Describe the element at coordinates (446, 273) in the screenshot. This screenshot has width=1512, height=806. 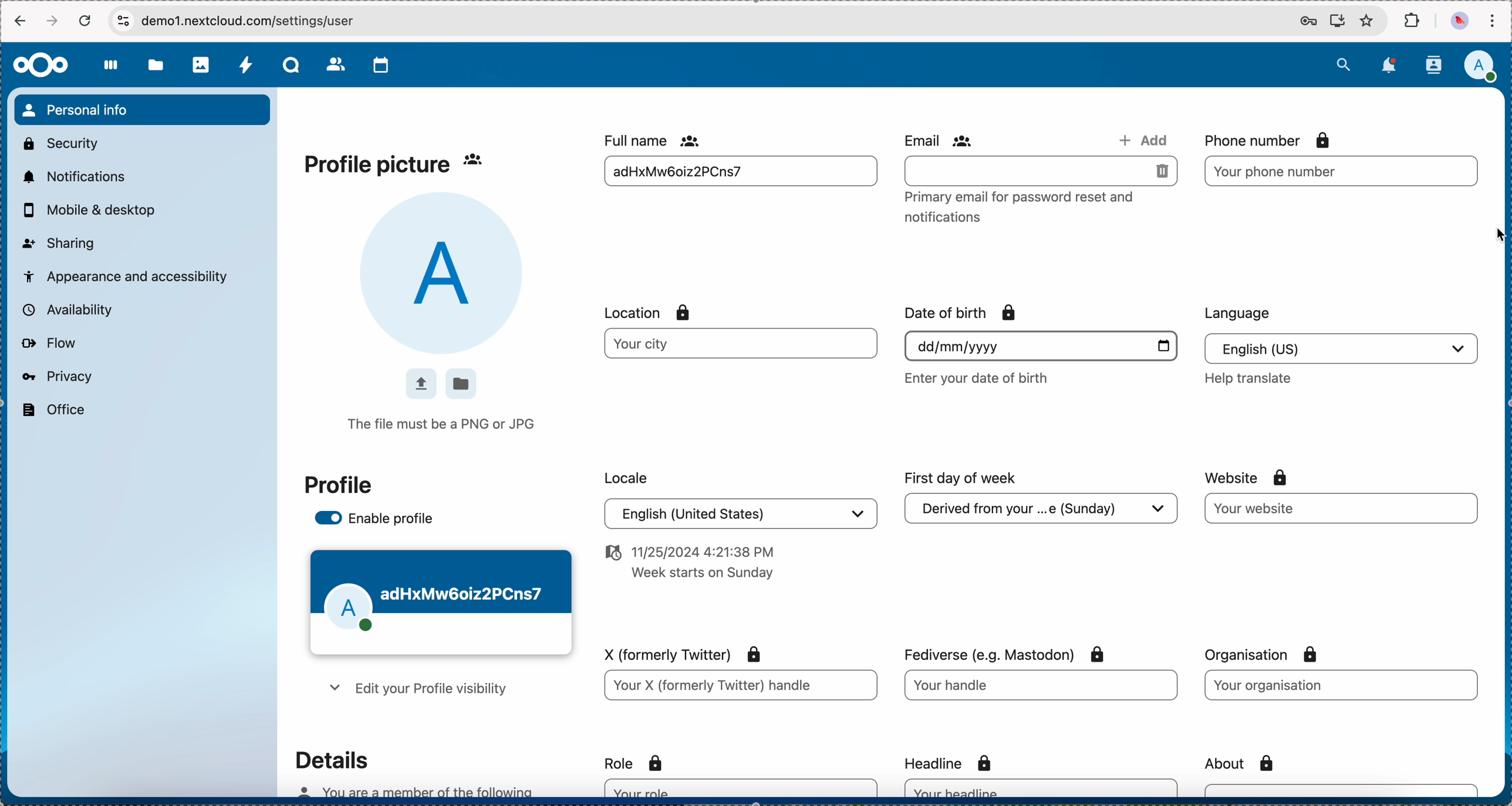
I see `image` at that location.